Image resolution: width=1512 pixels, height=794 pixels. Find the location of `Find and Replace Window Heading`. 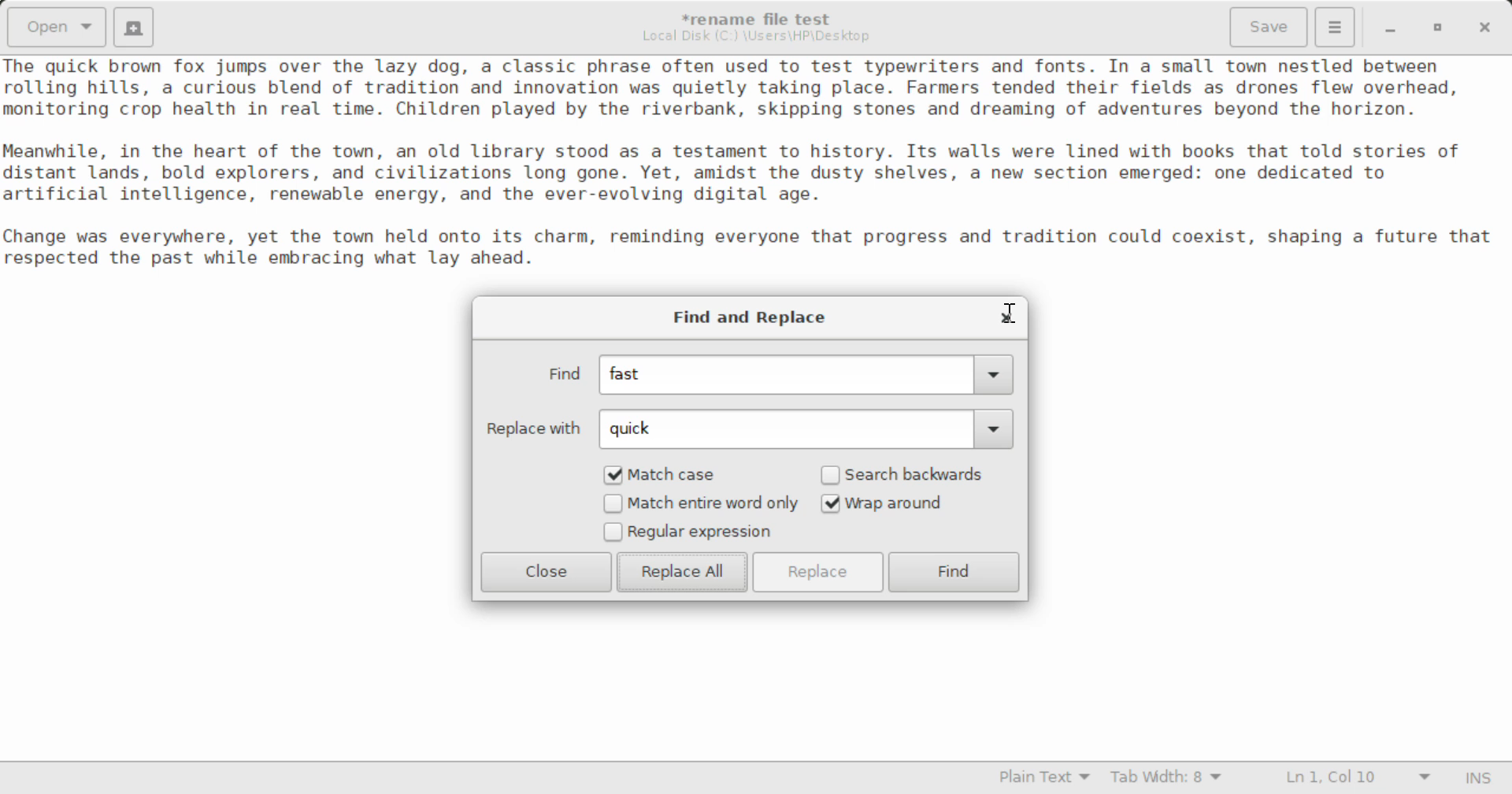

Find and Replace Window Heading is located at coordinates (751, 318).